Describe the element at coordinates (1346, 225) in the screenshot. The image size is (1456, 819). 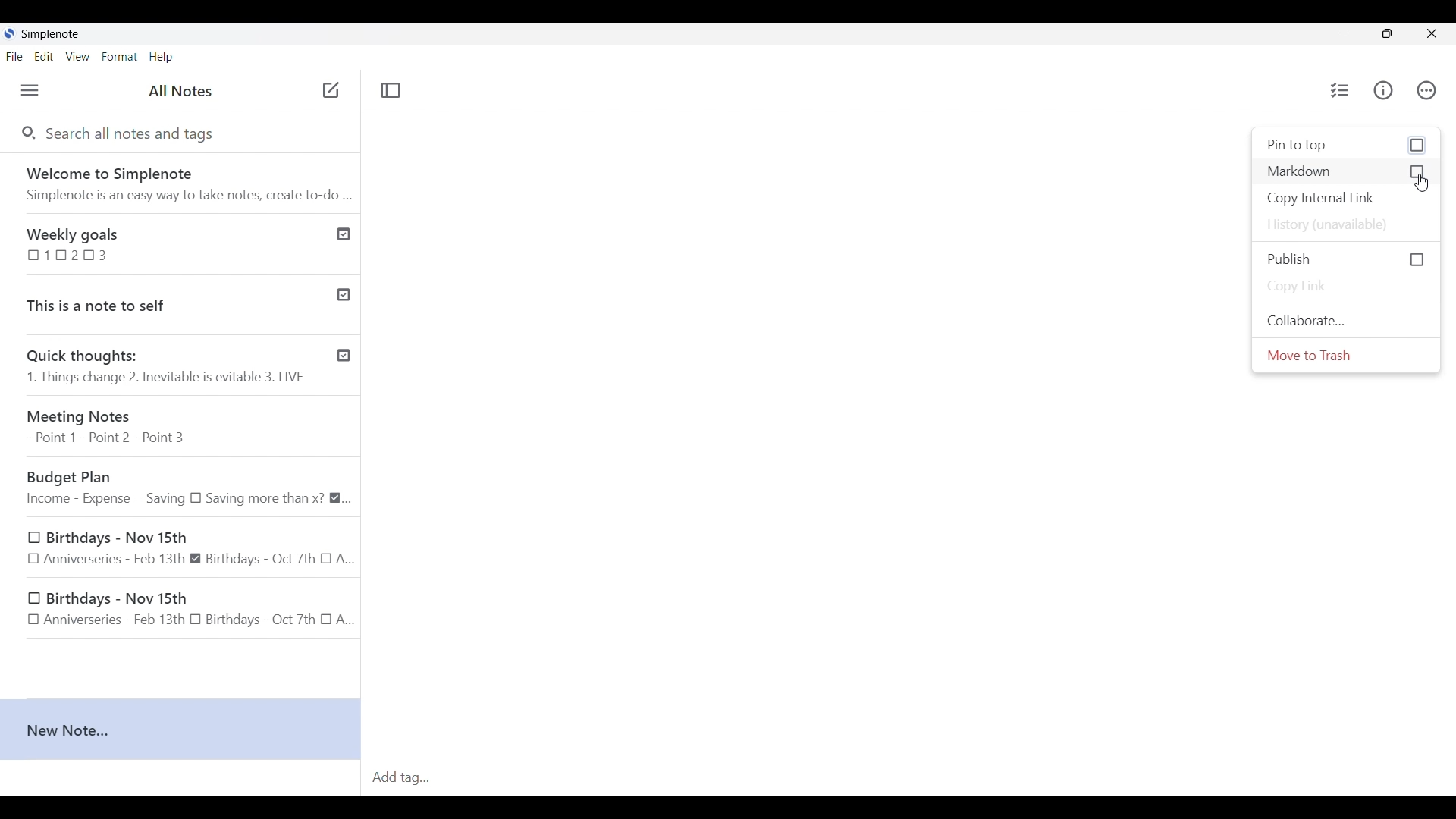
I see `History` at that location.